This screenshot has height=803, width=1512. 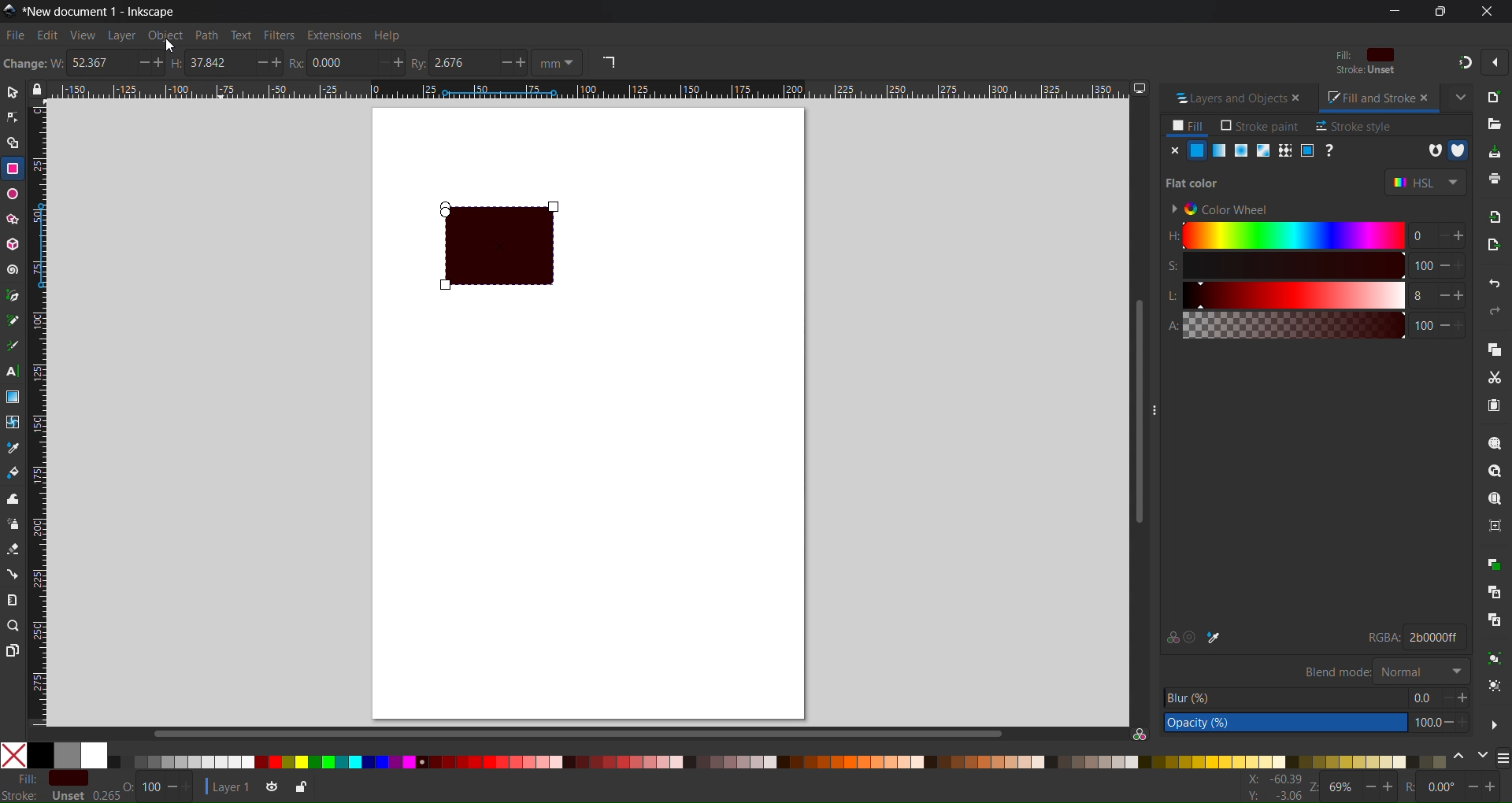 I want to click on Object, so click(x=165, y=35).